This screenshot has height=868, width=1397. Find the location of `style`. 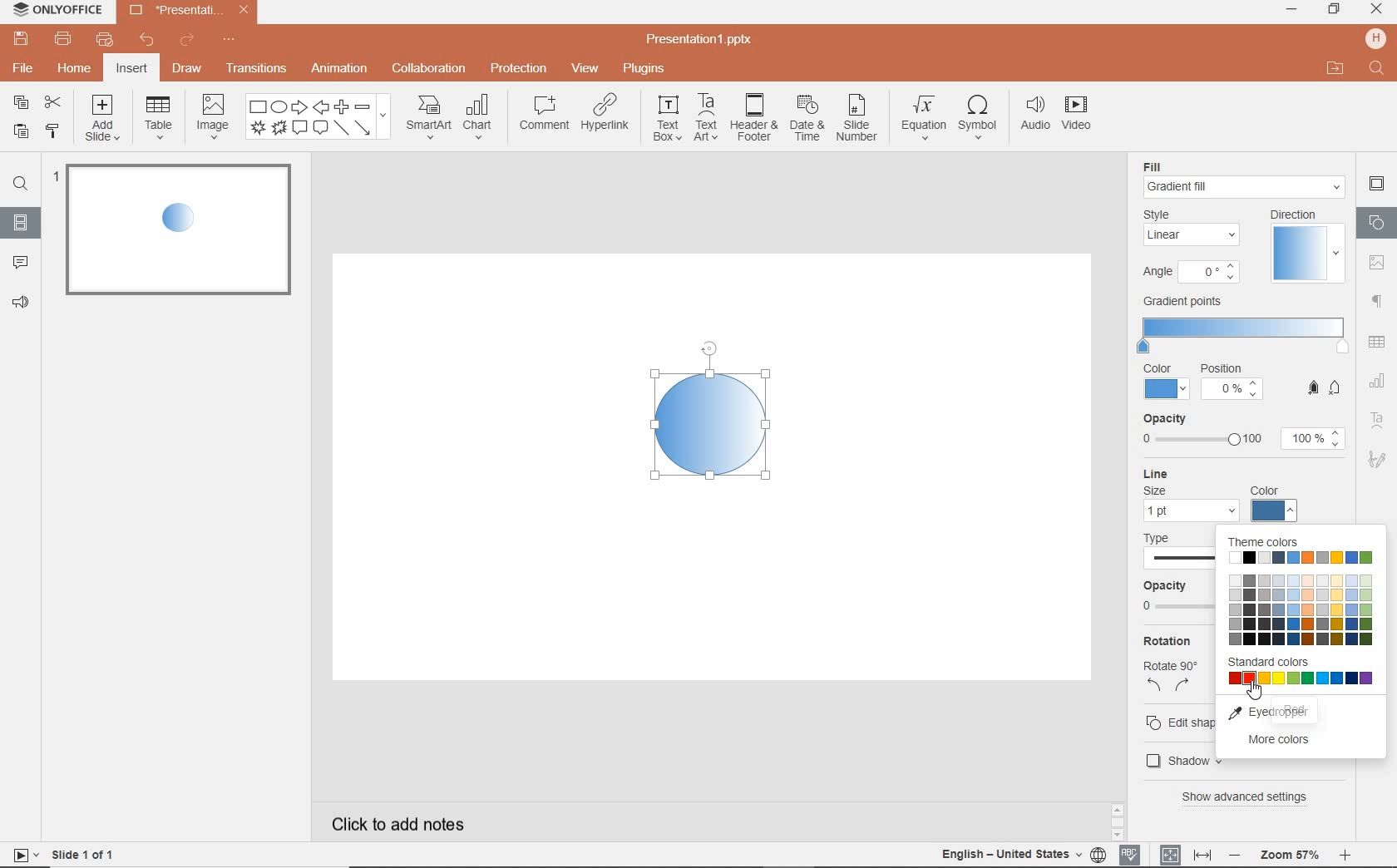

style is located at coordinates (1194, 228).